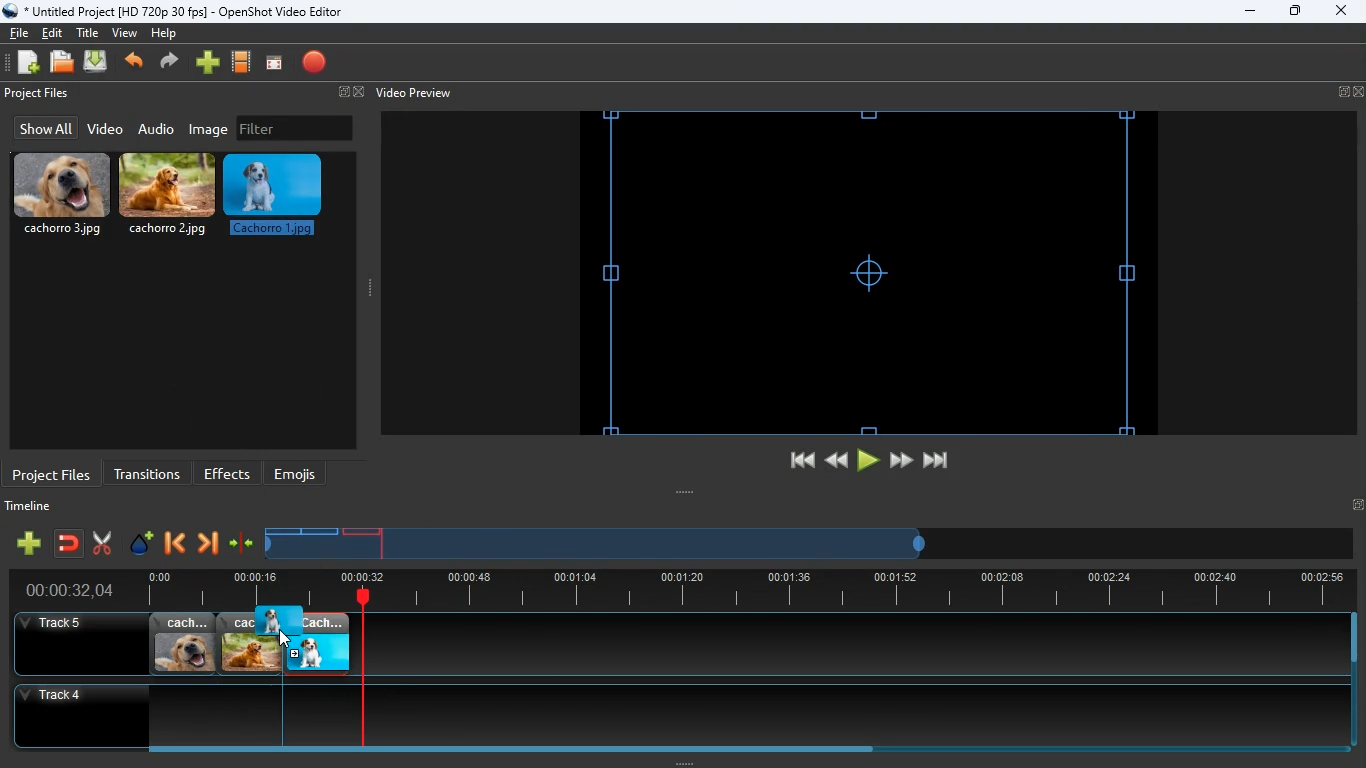  What do you see at coordinates (210, 129) in the screenshot?
I see `image` at bounding box center [210, 129].